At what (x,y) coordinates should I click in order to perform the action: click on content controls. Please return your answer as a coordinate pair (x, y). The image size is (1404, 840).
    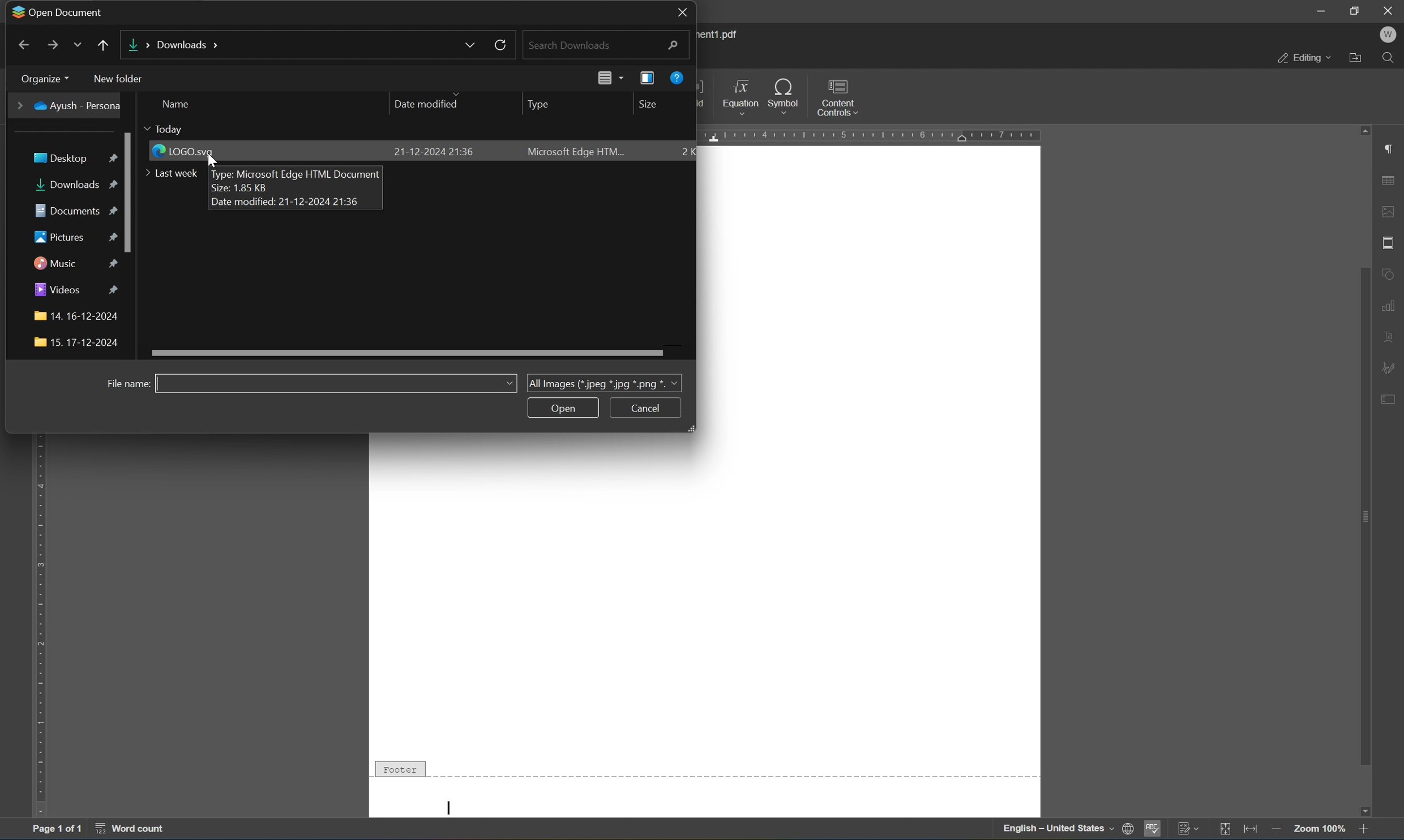
    Looking at the image, I should click on (838, 97).